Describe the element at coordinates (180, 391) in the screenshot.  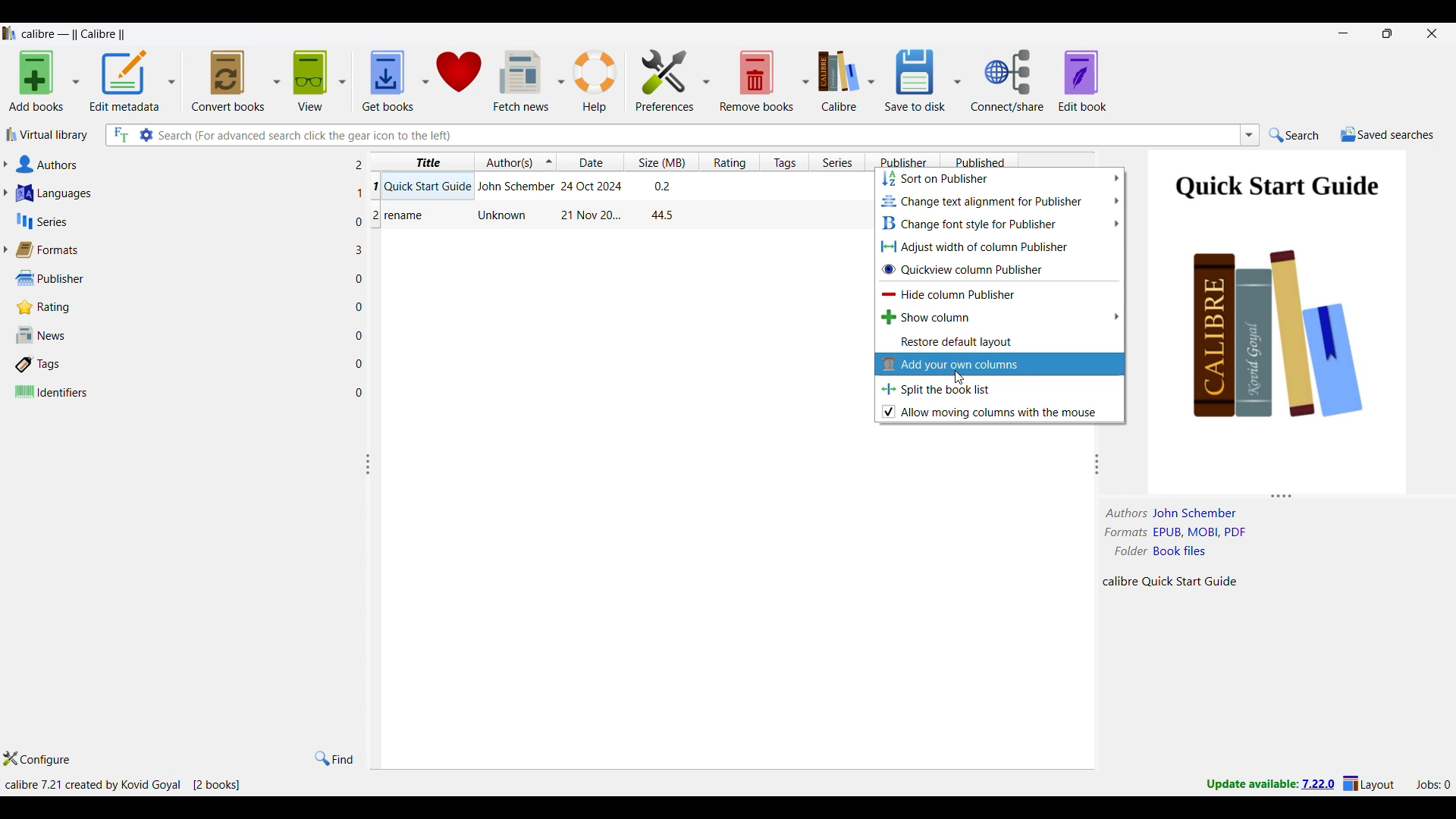
I see `Identifiers` at that location.